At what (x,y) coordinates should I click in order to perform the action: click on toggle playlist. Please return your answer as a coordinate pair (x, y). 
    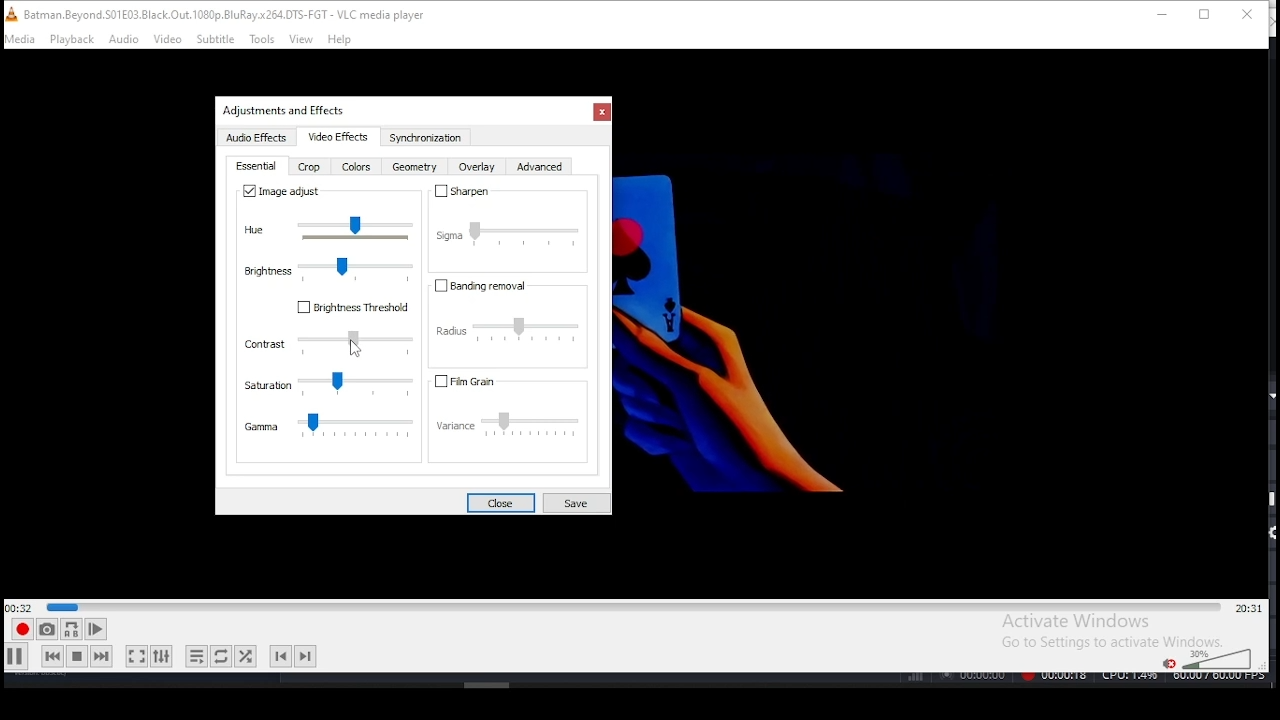
    Looking at the image, I should click on (196, 654).